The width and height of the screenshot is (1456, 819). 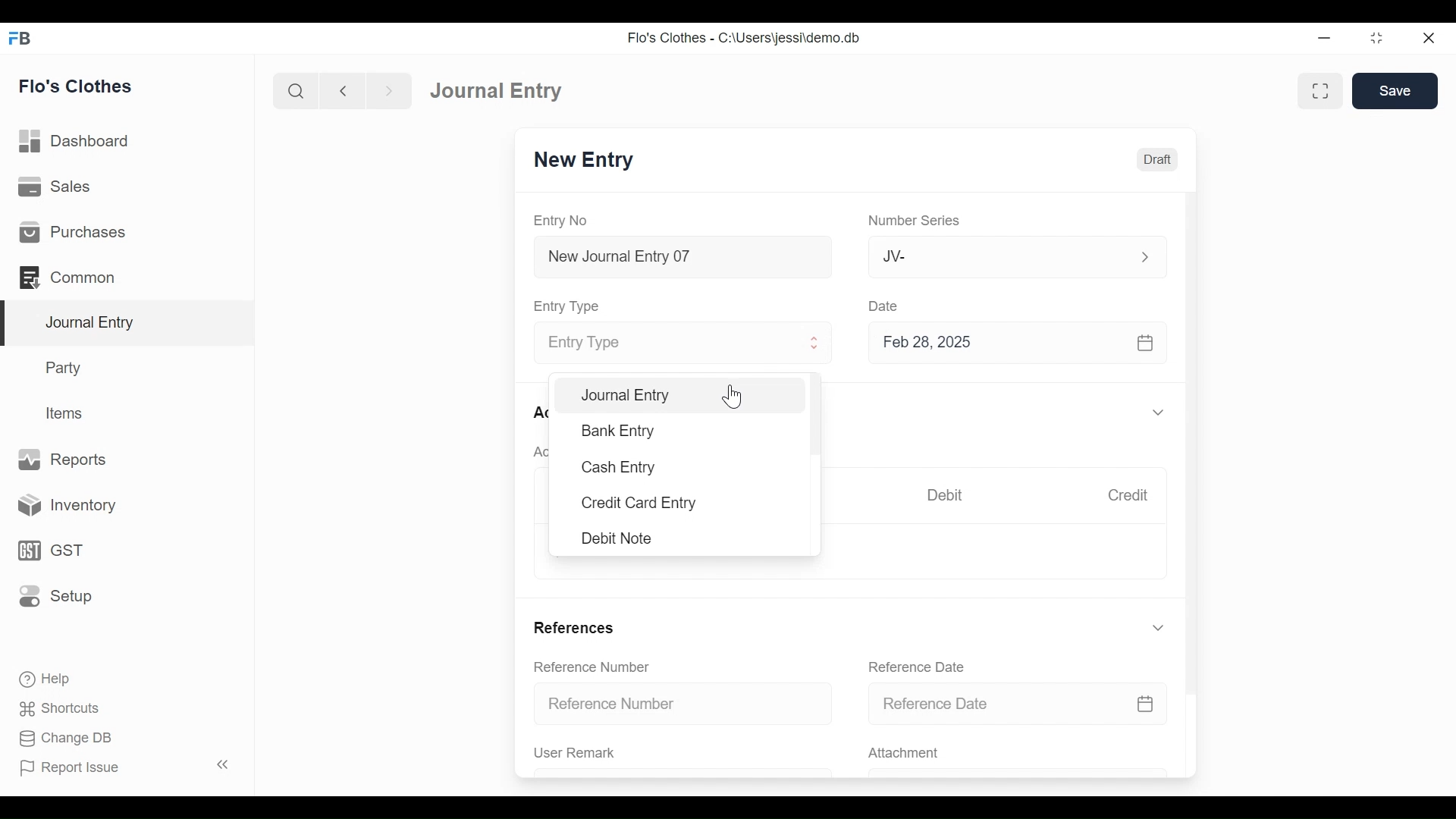 What do you see at coordinates (915, 667) in the screenshot?
I see `Reference Date` at bounding box center [915, 667].